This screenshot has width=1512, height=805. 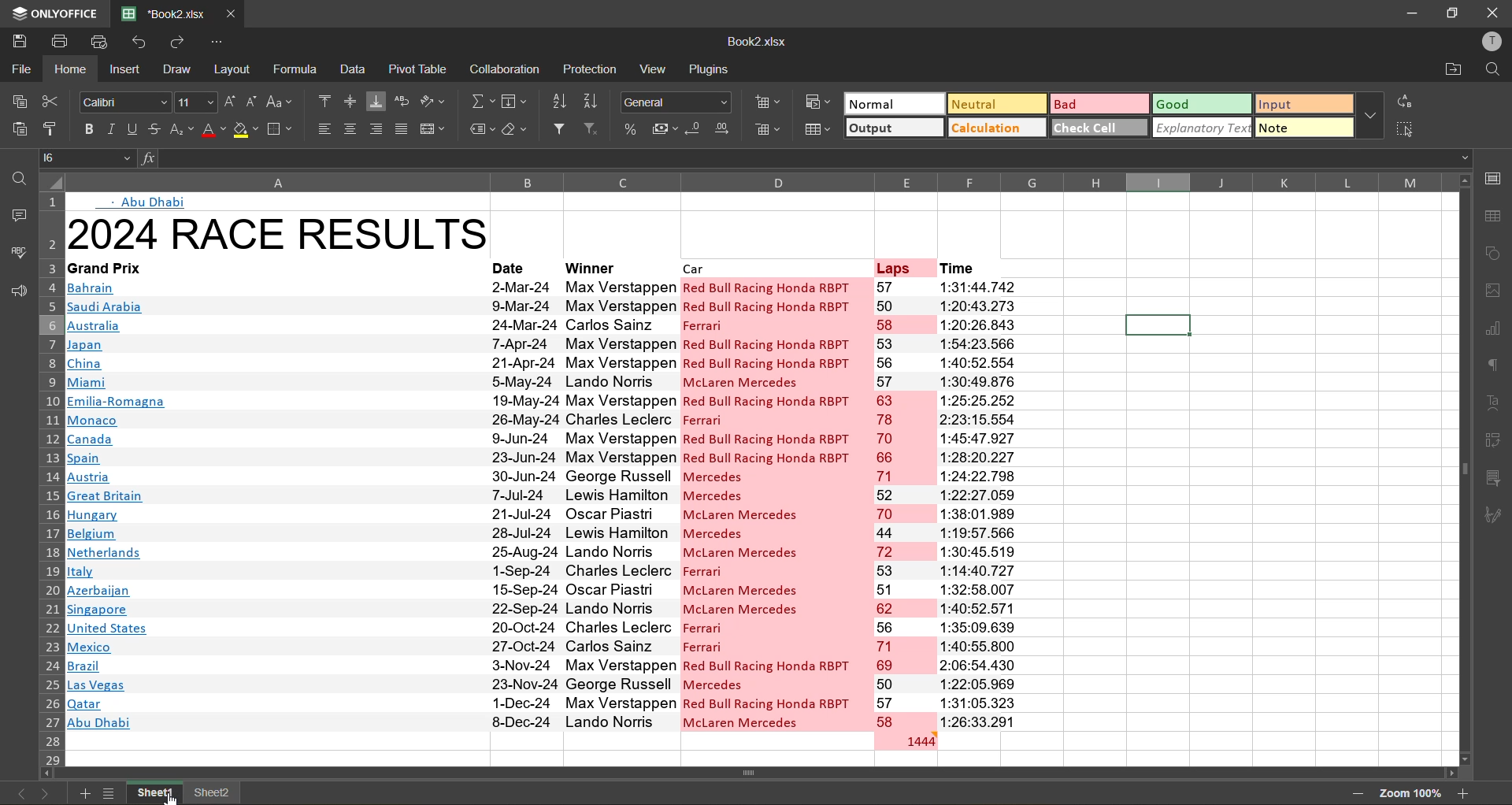 What do you see at coordinates (377, 99) in the screenshot?
I see `align bottom` at bounding box center [377, 99].